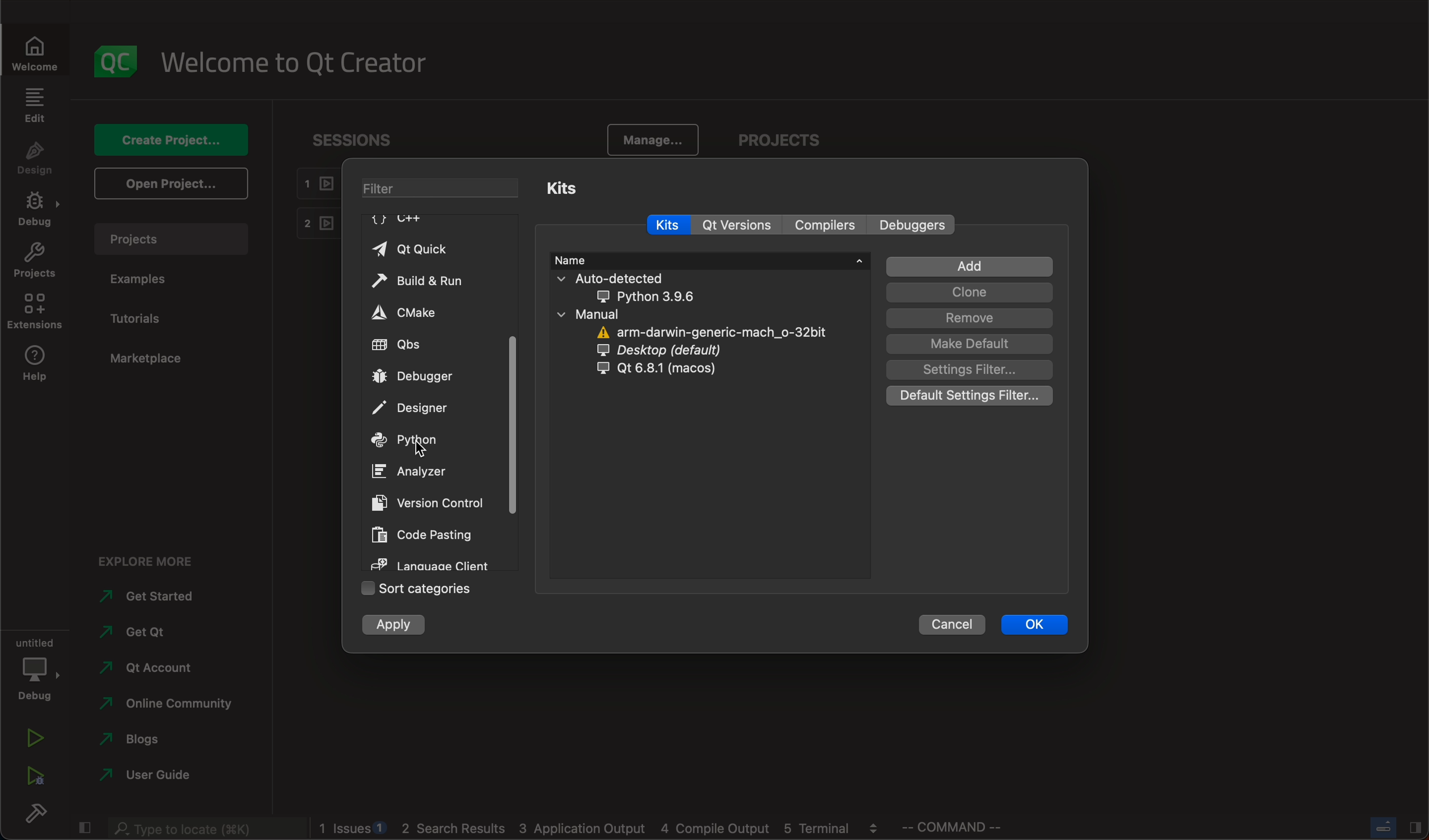 The image size is (1429, 840). What do you see at coordinates (1393, 827) in the screenshot?
I see `close slide bar` at bounding box center [1393, 827].